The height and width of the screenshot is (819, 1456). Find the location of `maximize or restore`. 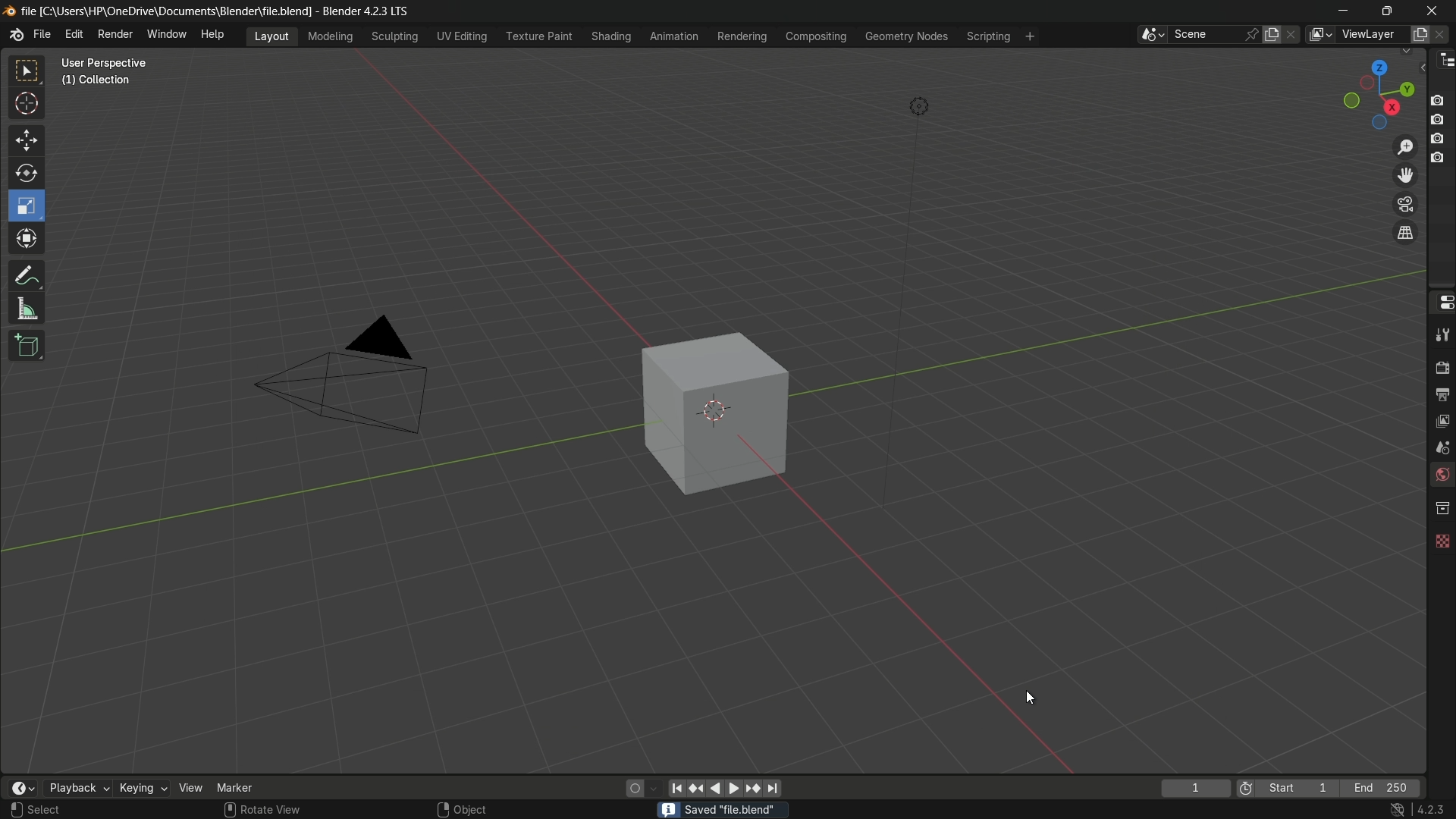

maximize or restore is located at coordinates (1386, 10).